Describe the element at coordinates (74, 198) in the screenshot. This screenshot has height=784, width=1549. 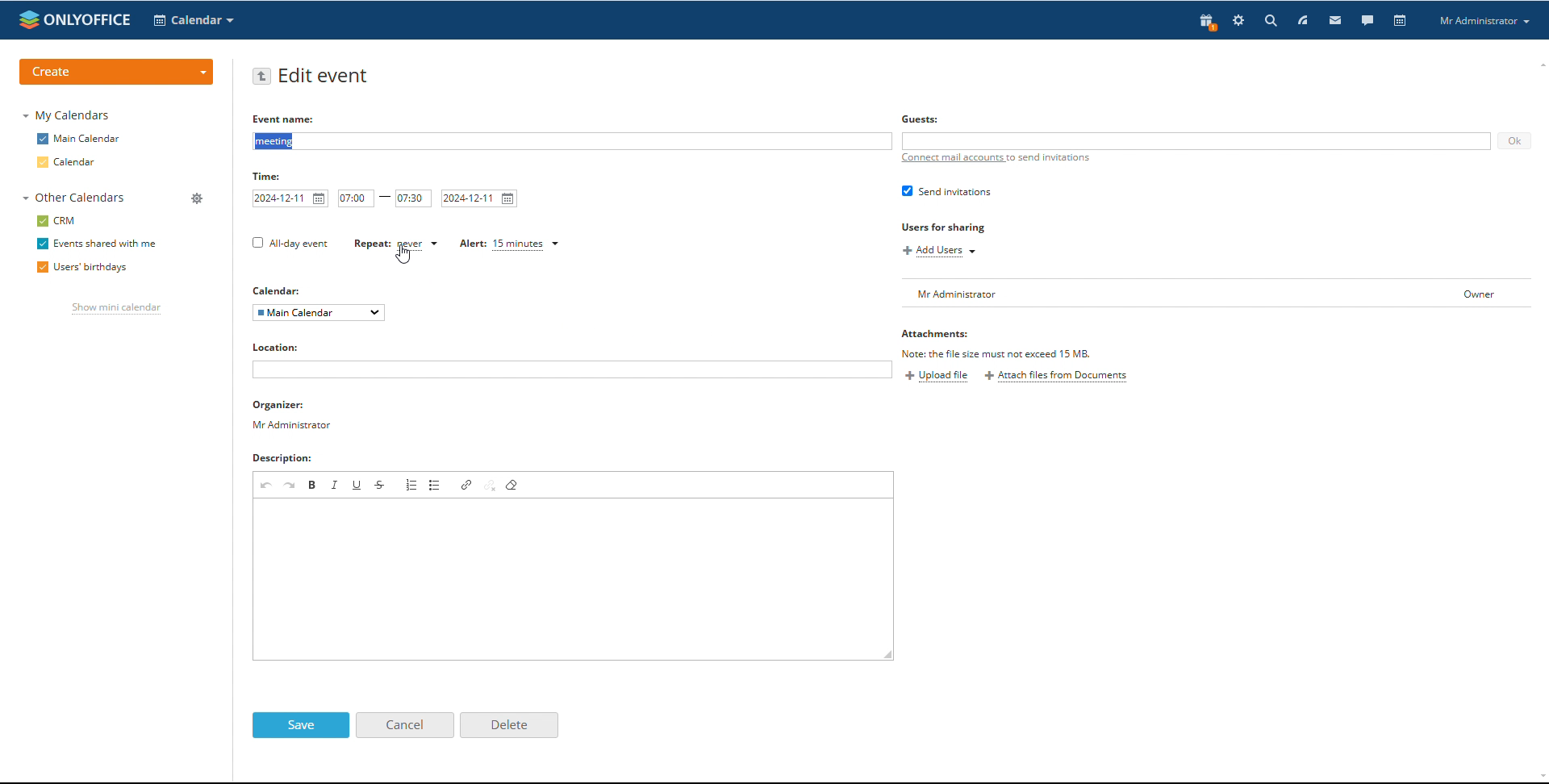
I see `other calendars` at that location.